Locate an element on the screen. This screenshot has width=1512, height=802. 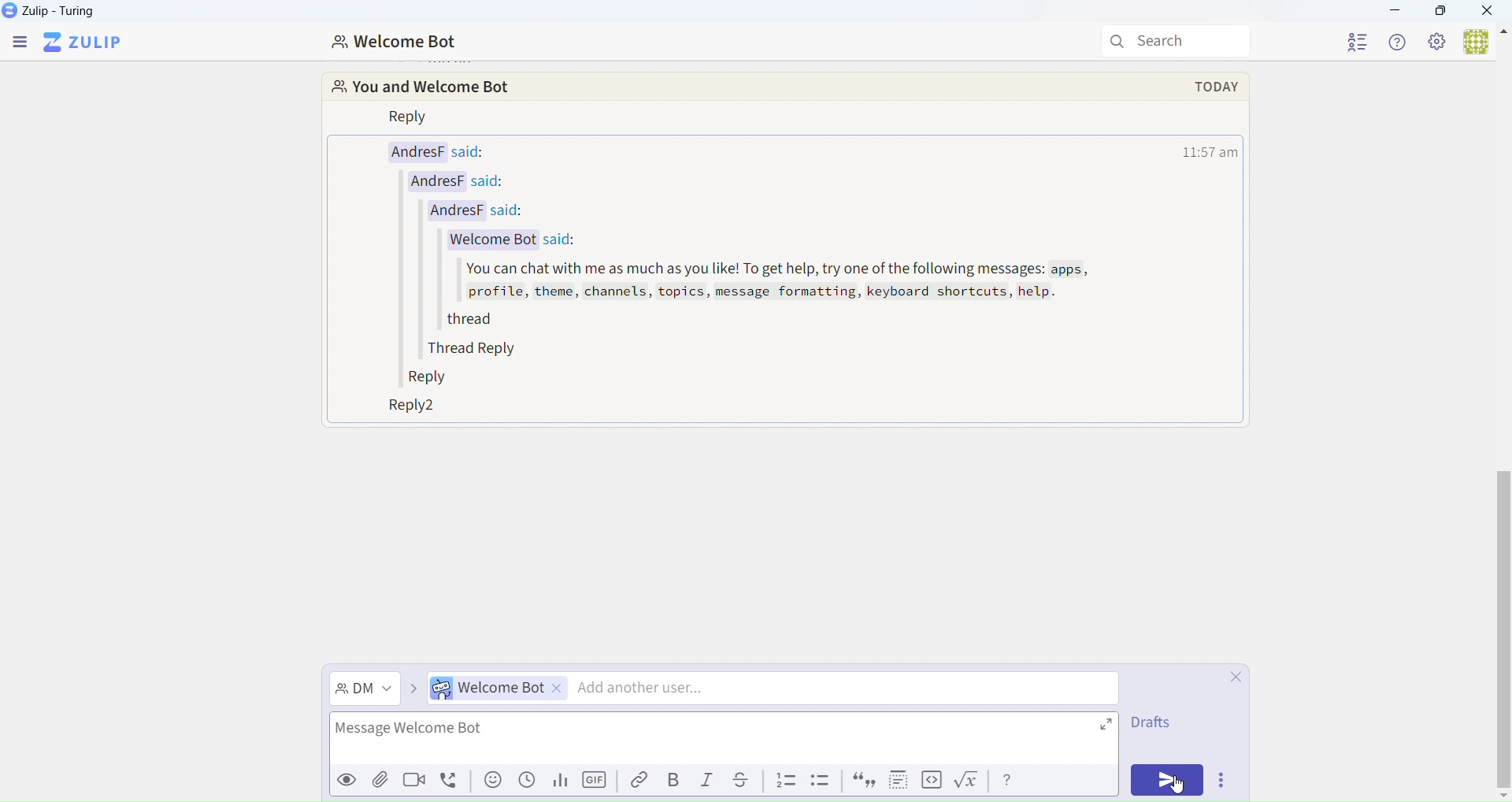
help is located at coordinates (1010, 781).